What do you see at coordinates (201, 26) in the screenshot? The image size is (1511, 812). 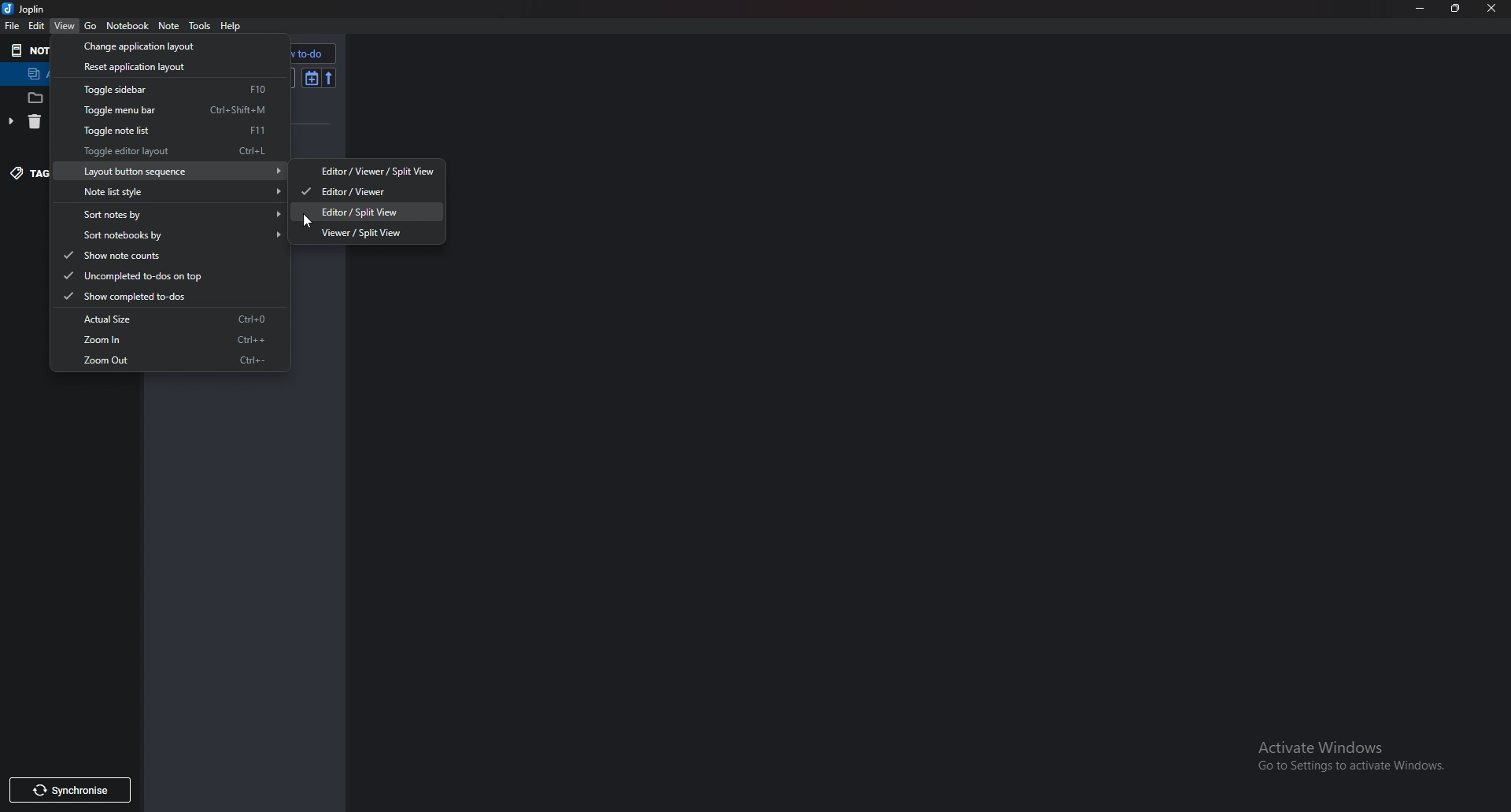 I see `tools` at bounding box center [201, 26].